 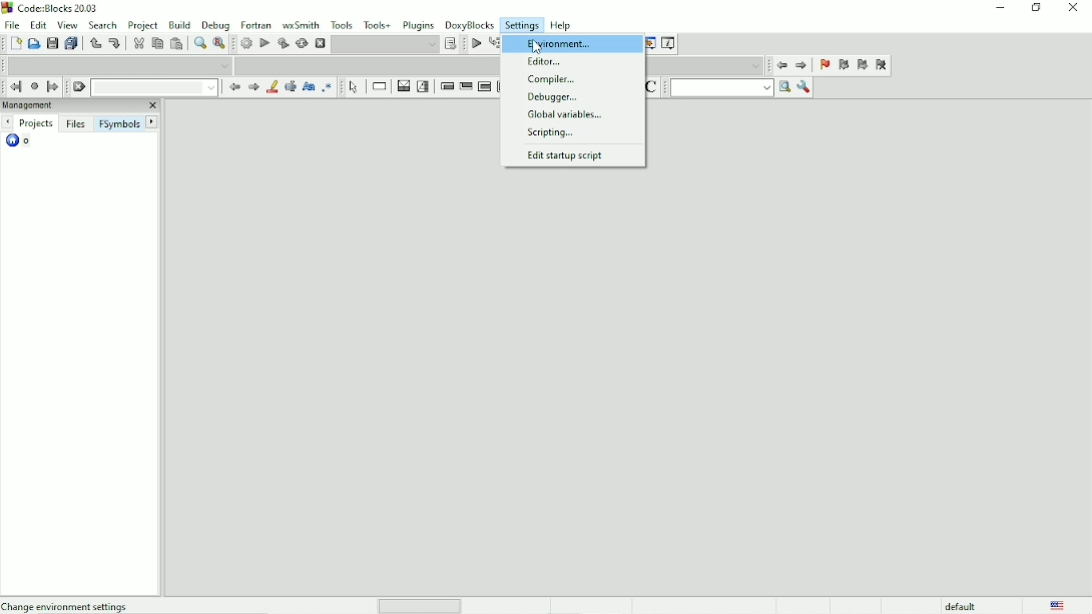 I want to click on Editor..., so click(x=544, y=62).